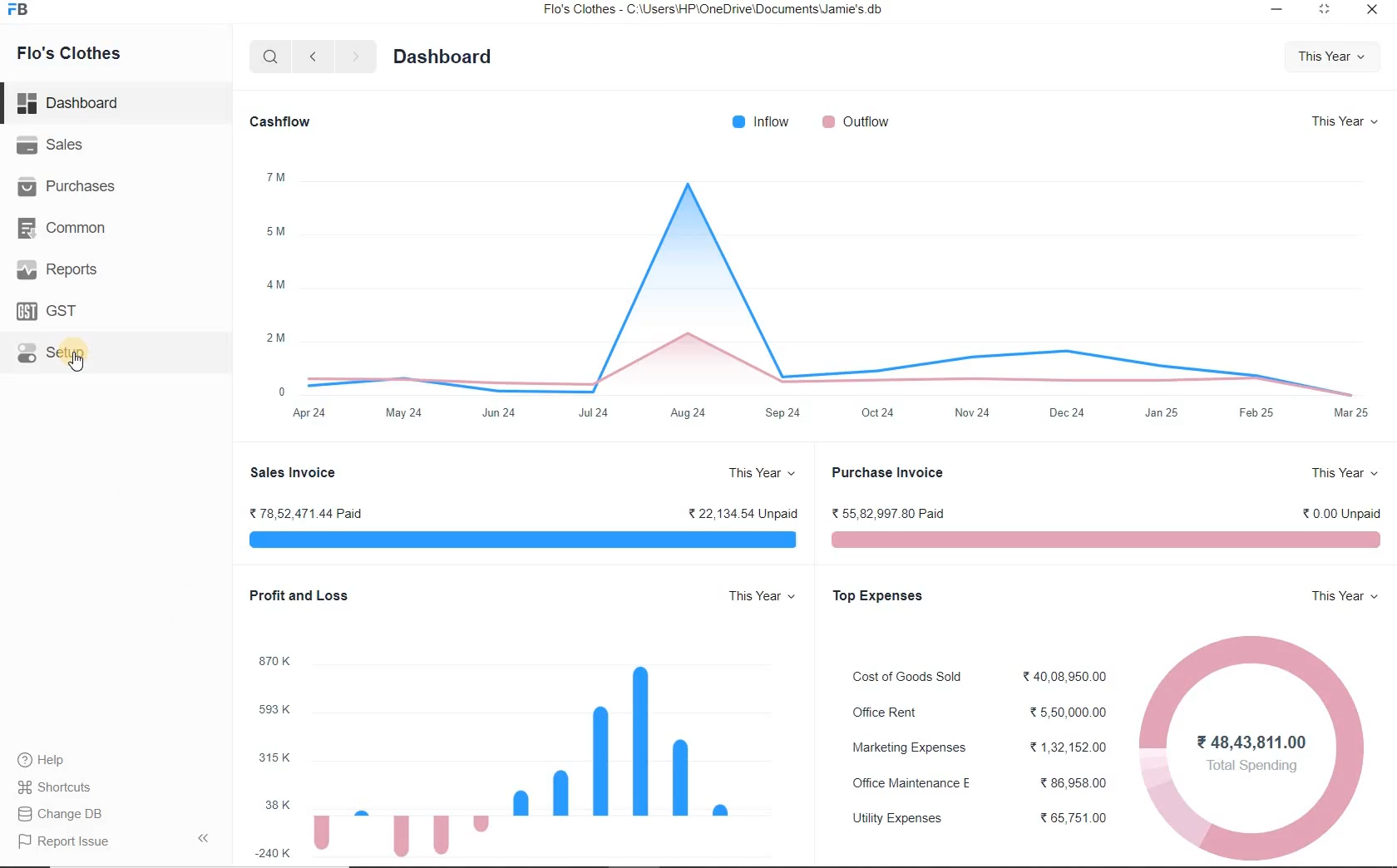 This screenshot has height=868, width=1397. I want to click on purchase invoice visualization, so click(1105, 539).